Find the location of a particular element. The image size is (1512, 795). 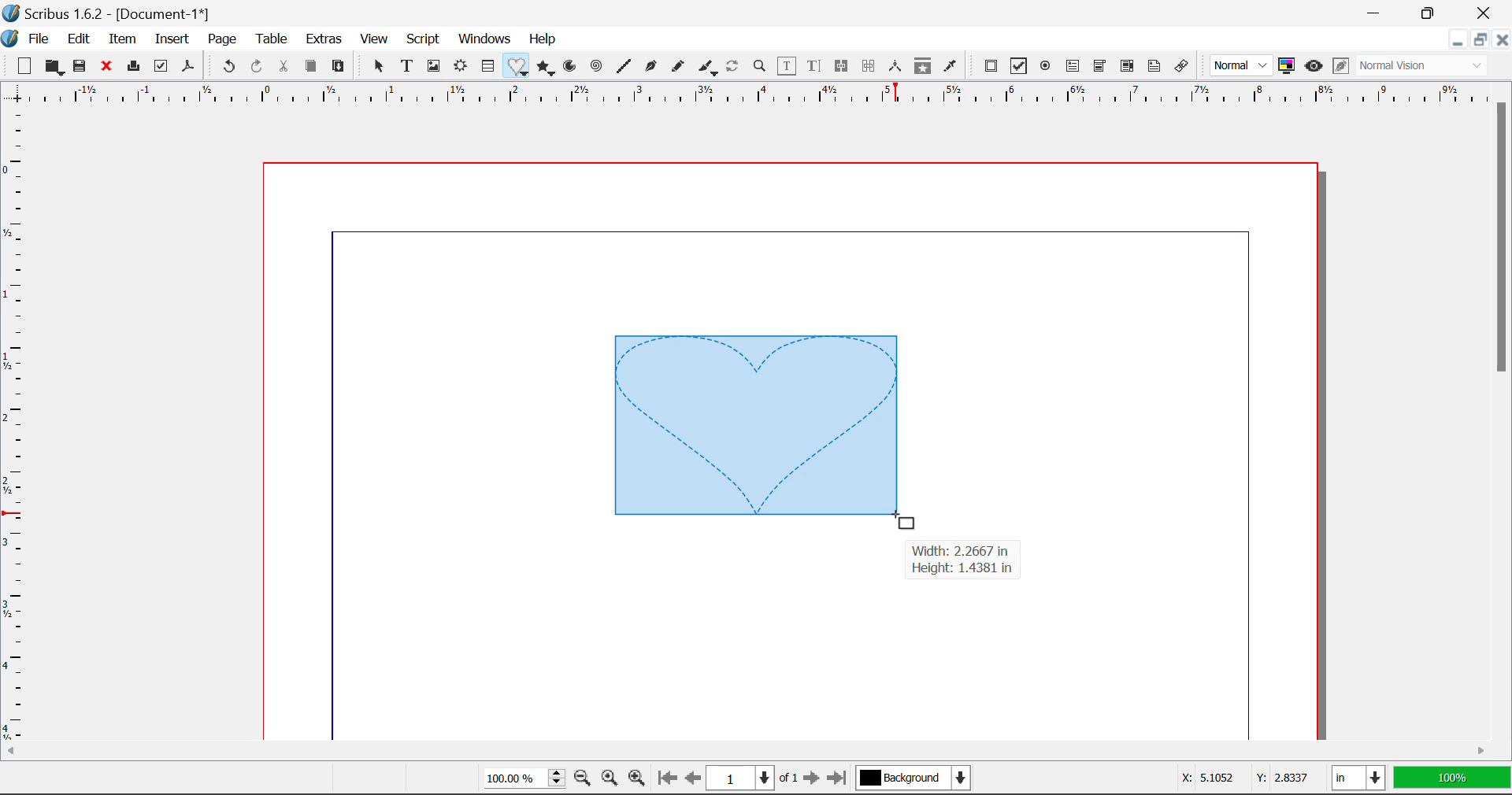

Text Frames is located at coordinates (408, 67).